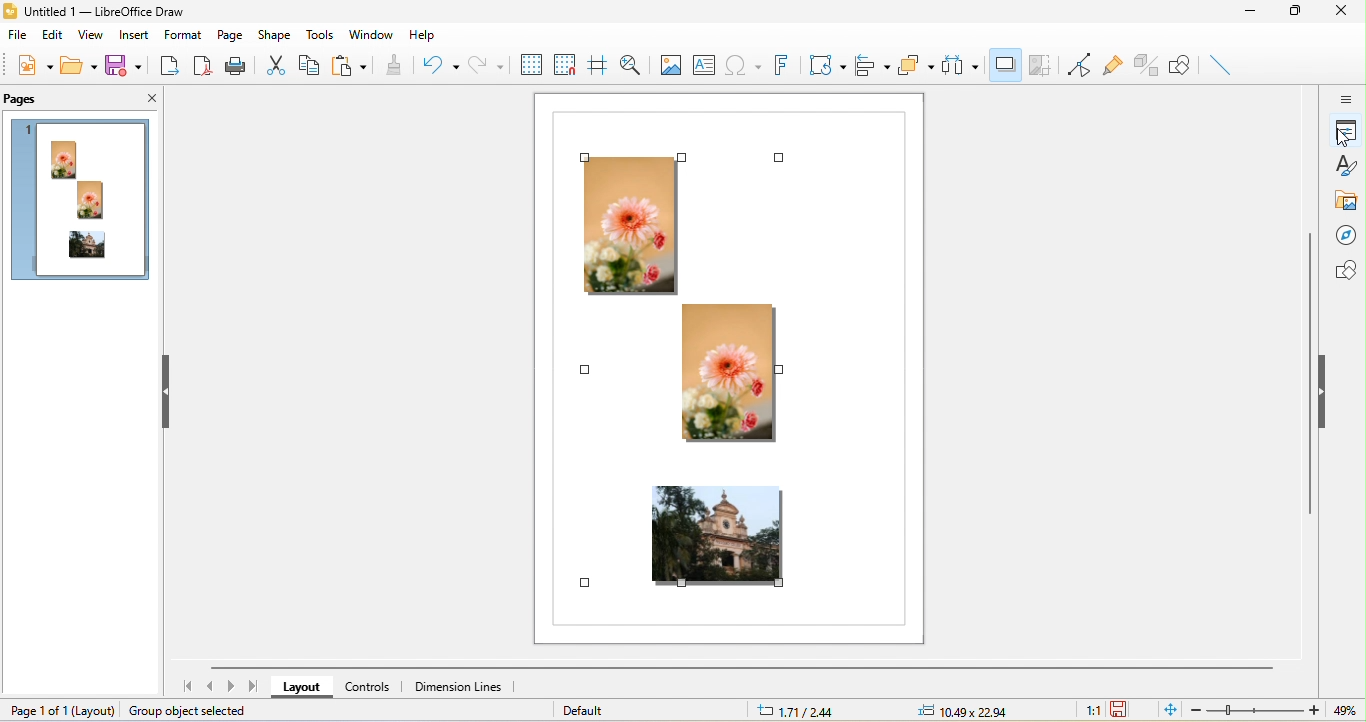 This screenshot has width=1366, height=722. I want to click on gluepoint function, so click(1113, 65).